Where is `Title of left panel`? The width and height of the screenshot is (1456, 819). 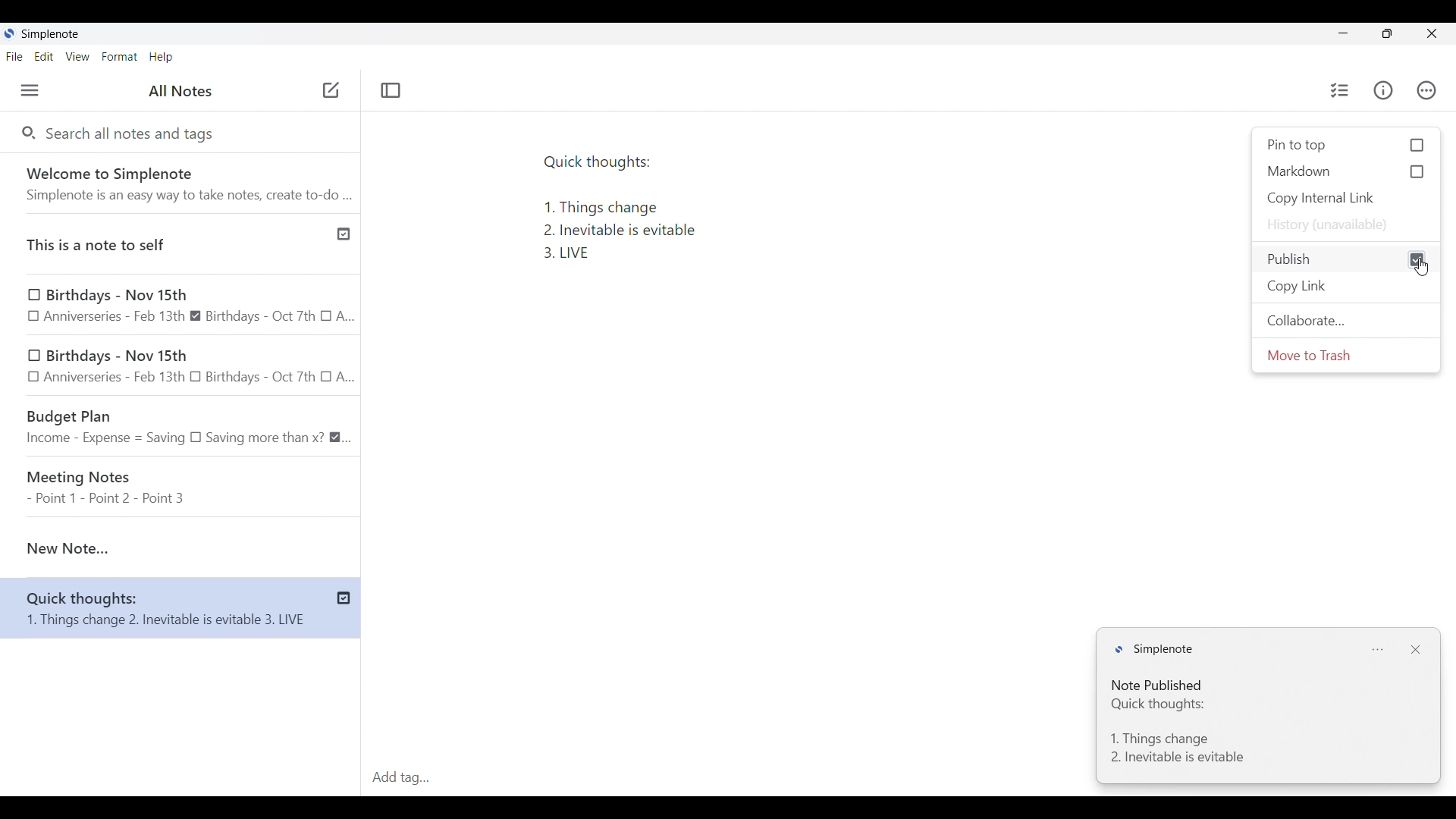
Title of left panel is located at coordinates (180, 90).